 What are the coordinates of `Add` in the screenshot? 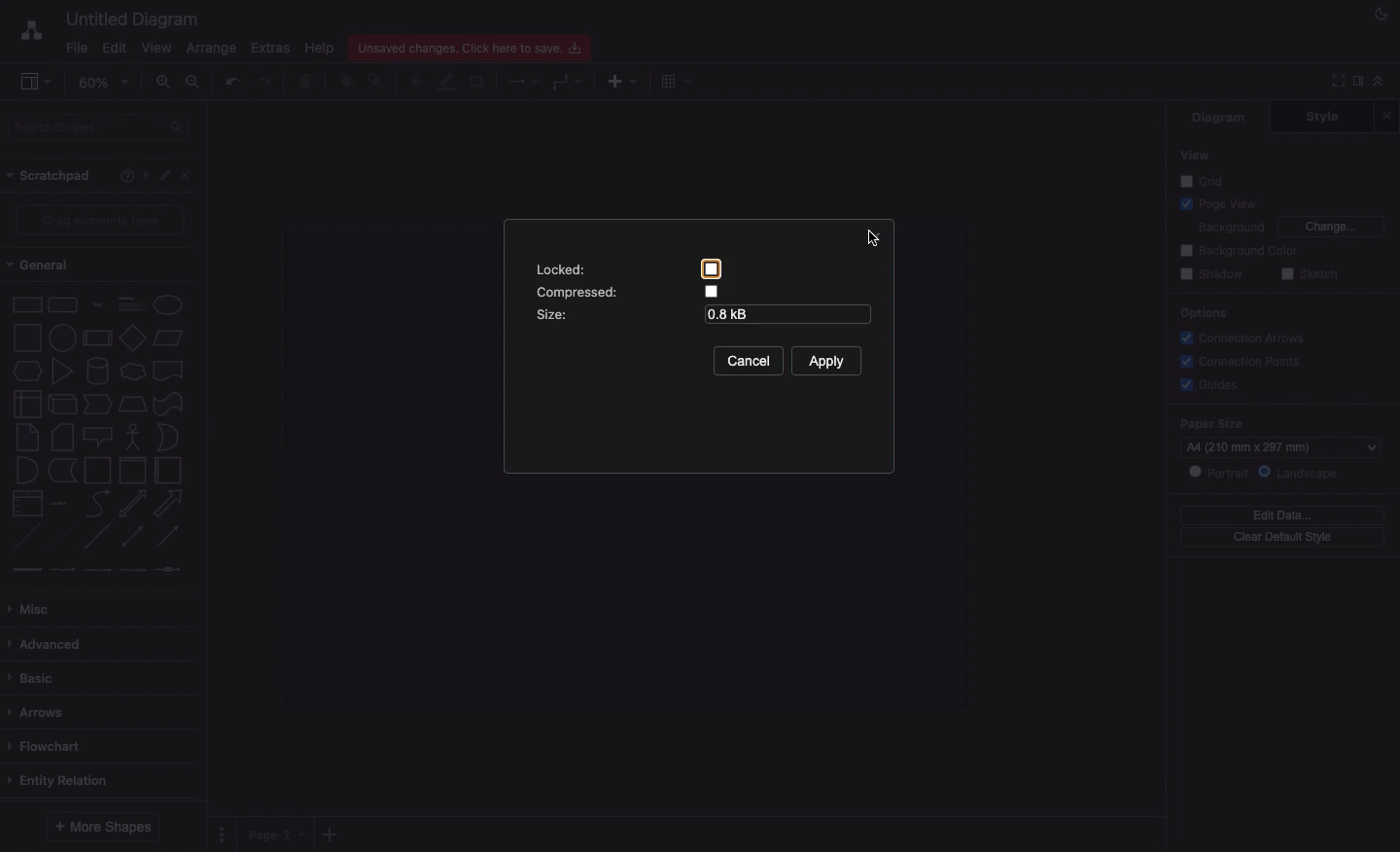 It's located at (332, 831).